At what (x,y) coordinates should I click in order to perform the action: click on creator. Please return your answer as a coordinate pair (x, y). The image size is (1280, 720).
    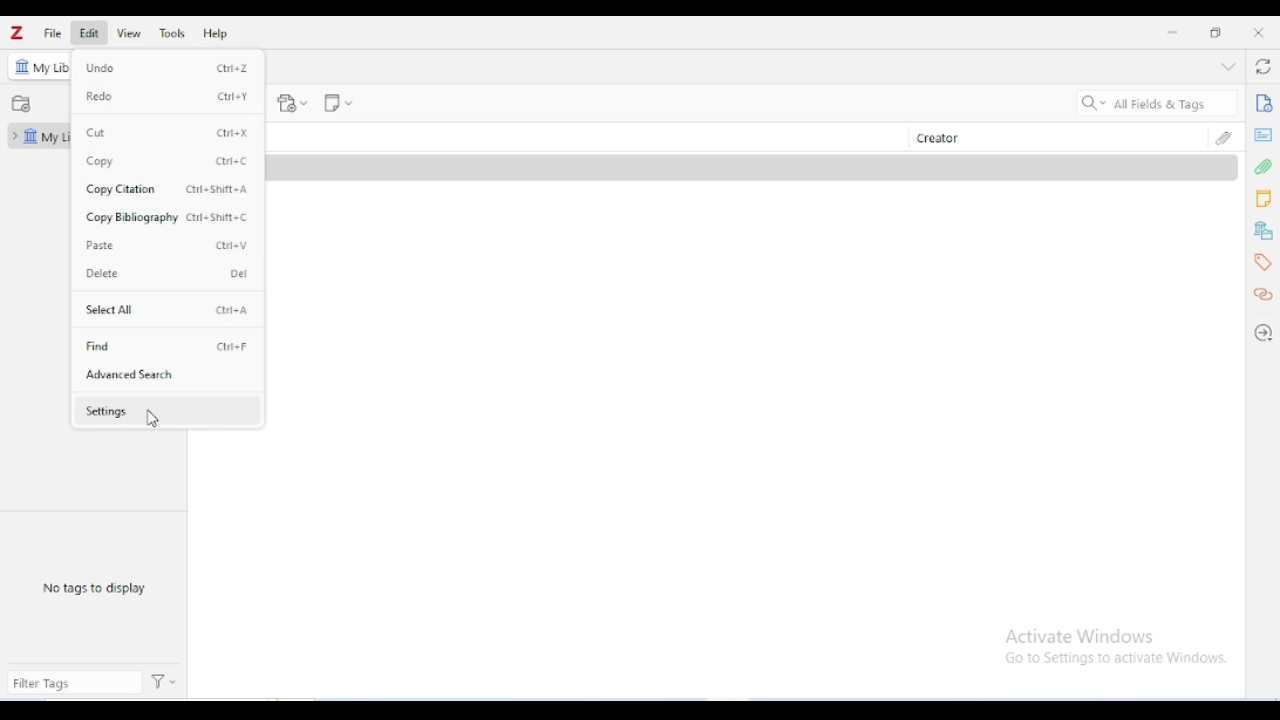
    Looking at the image, I should click on (938, 139).